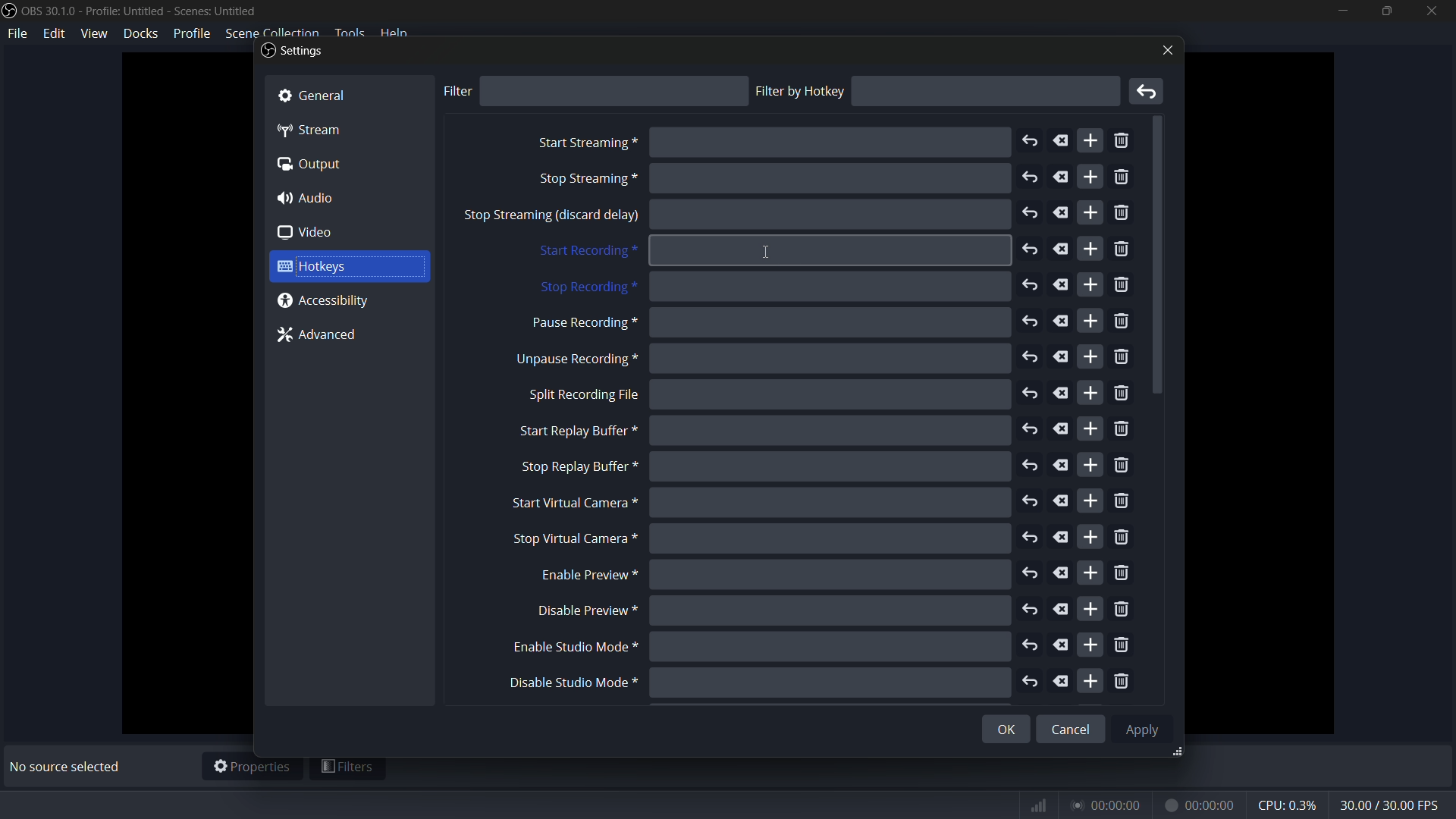  Describe the element at coordinates (1090, 322) in the screenshot. I see `add more` at that location.